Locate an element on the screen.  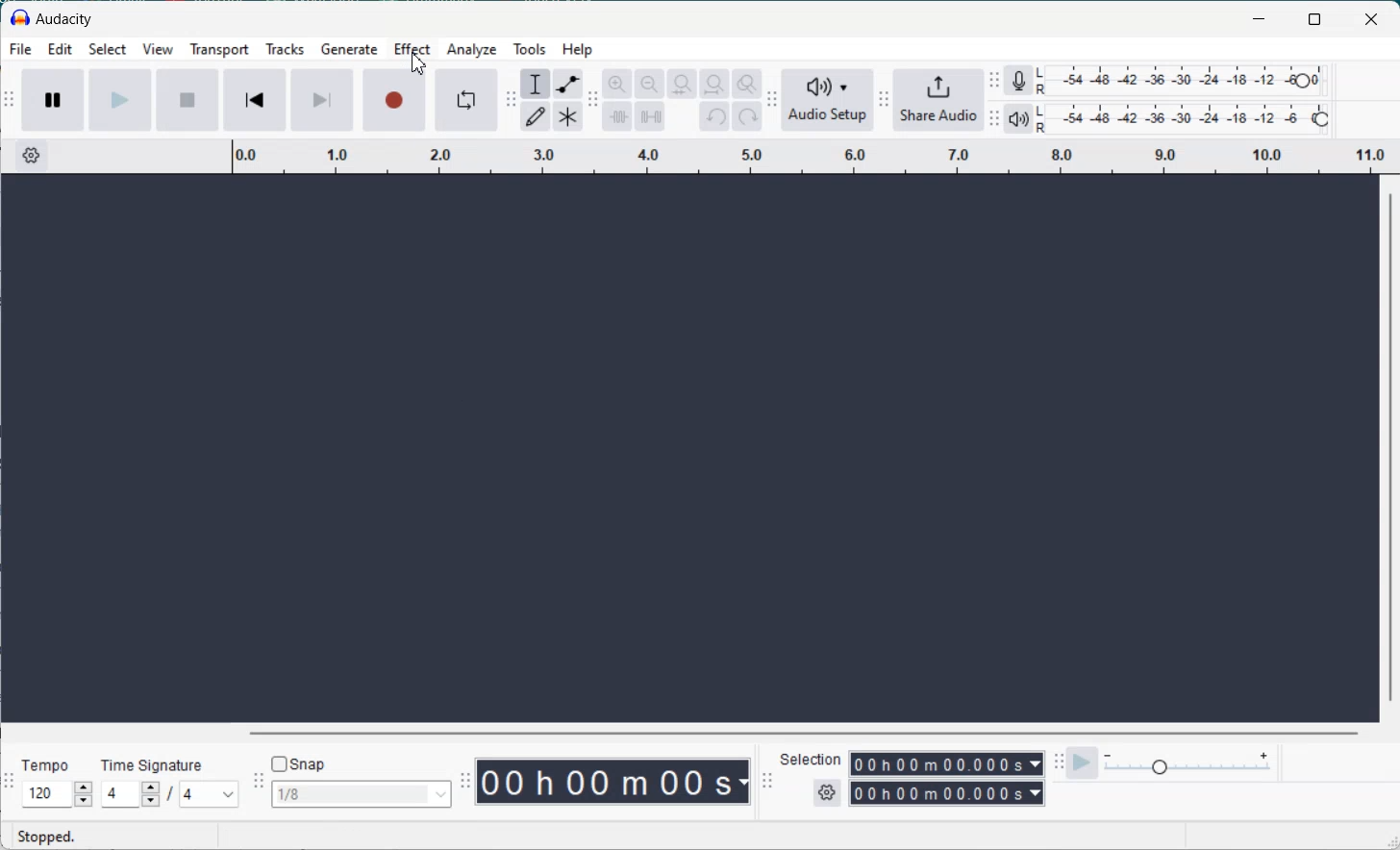
File is located at coordinates (20, 50).